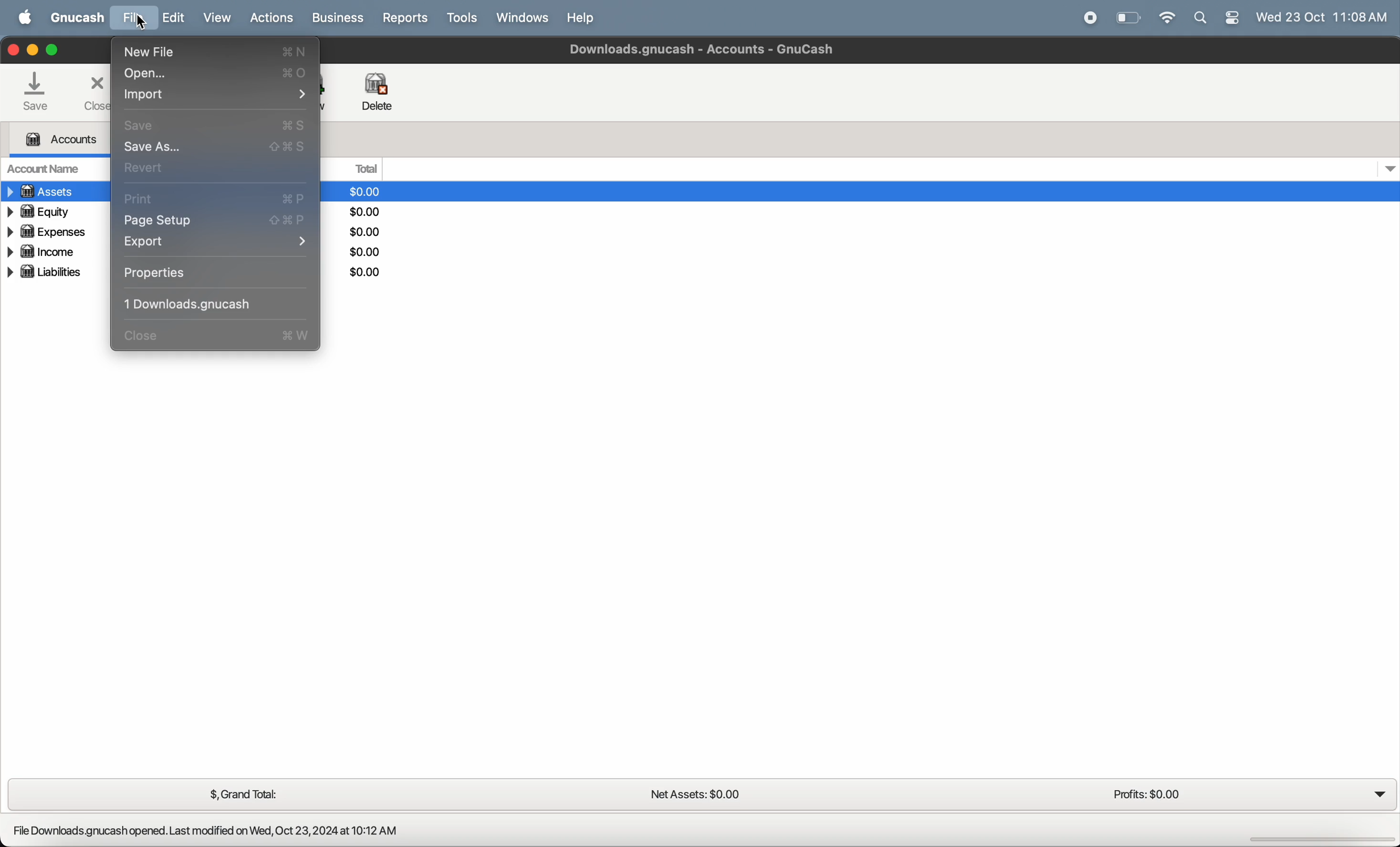 The image size is (1400, 847). I want to click on dollars, so click(364, 253).